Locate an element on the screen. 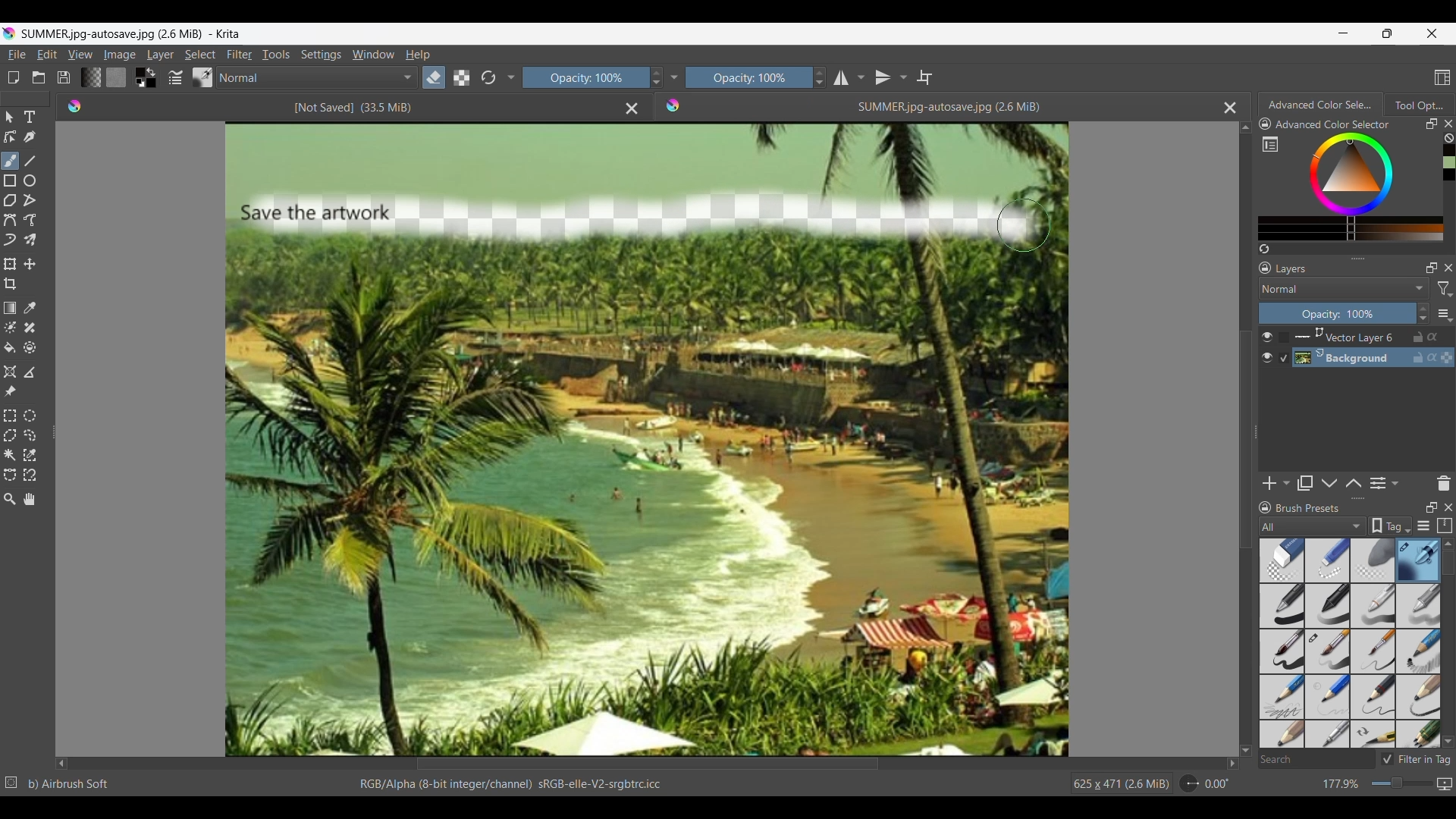  Rectangular selection tool is located at coordinates (9, 416).